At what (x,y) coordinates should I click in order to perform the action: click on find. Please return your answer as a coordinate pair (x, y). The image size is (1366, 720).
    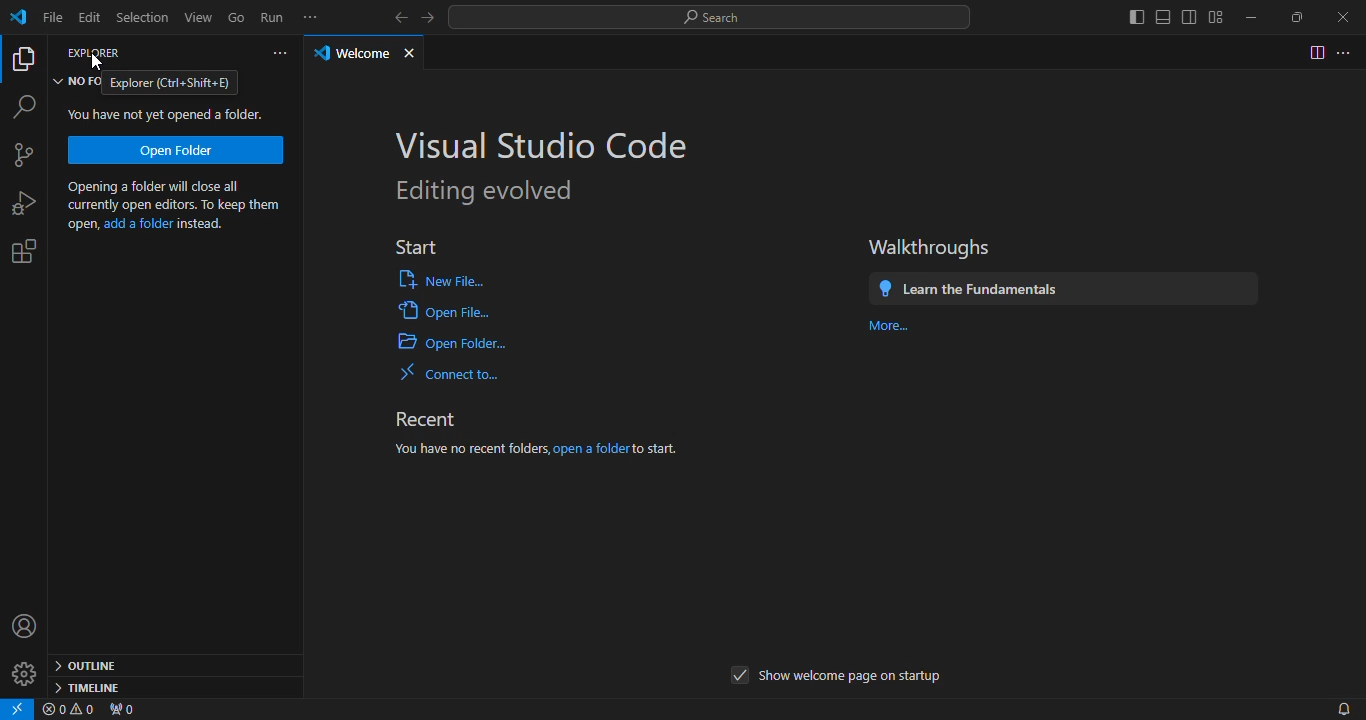
    Looking at the image, I should click on (23, 106).